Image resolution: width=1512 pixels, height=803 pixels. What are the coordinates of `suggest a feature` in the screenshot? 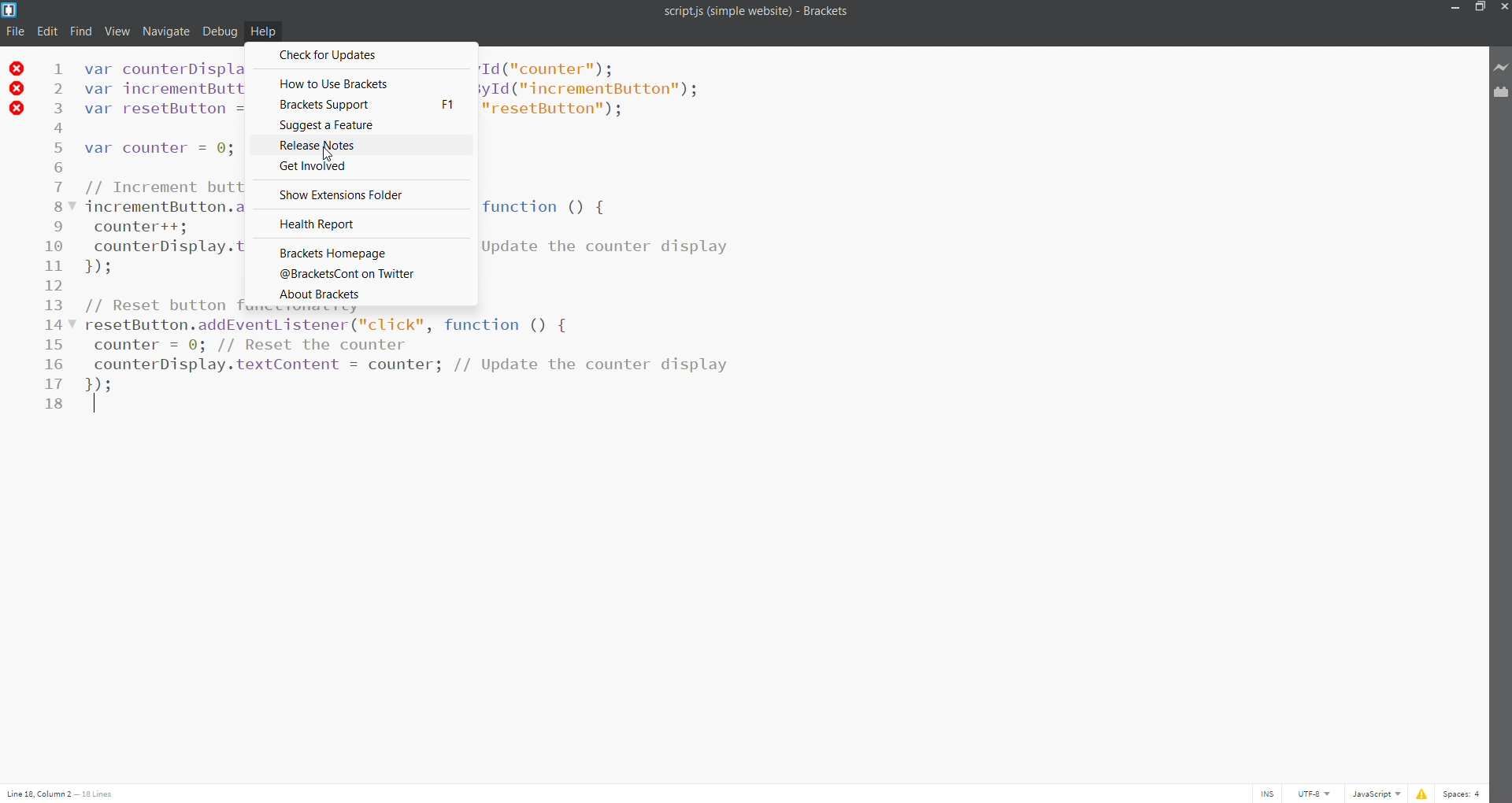 It's located at (361, 126).